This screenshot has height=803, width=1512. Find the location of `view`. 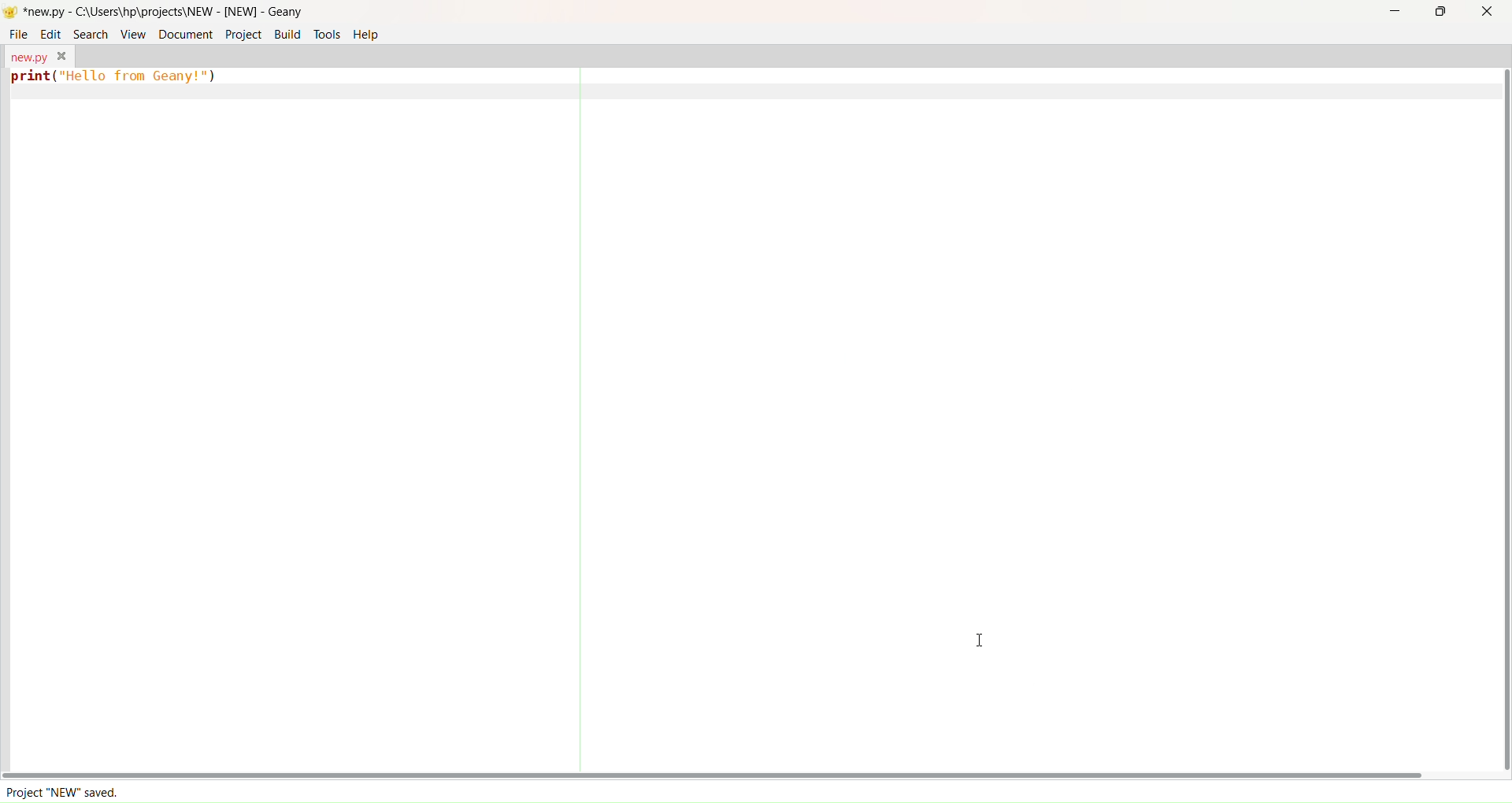

view is located at coordinates (133, 32).